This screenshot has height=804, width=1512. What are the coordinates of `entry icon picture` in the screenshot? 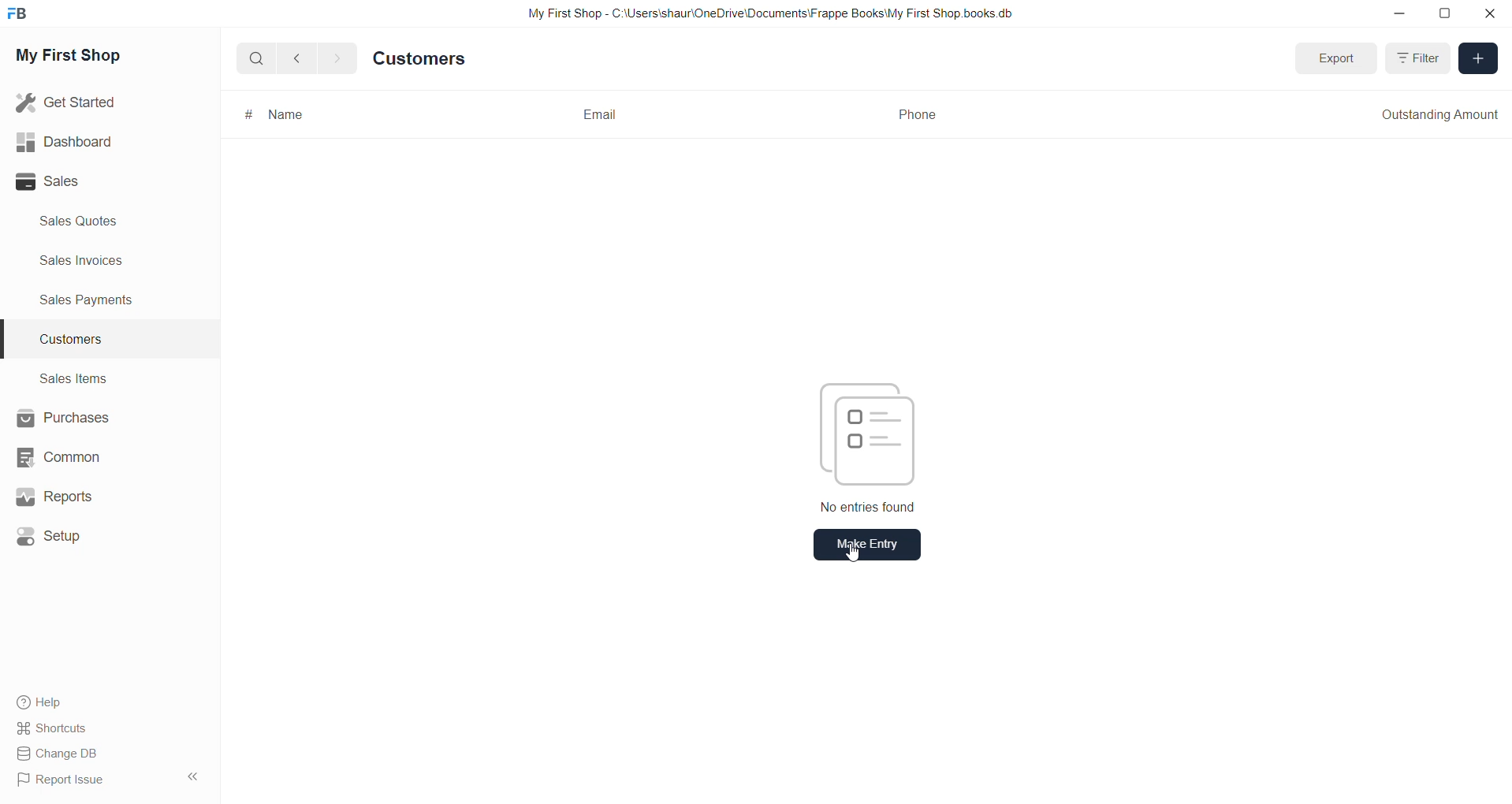 It's located at (862, 432).